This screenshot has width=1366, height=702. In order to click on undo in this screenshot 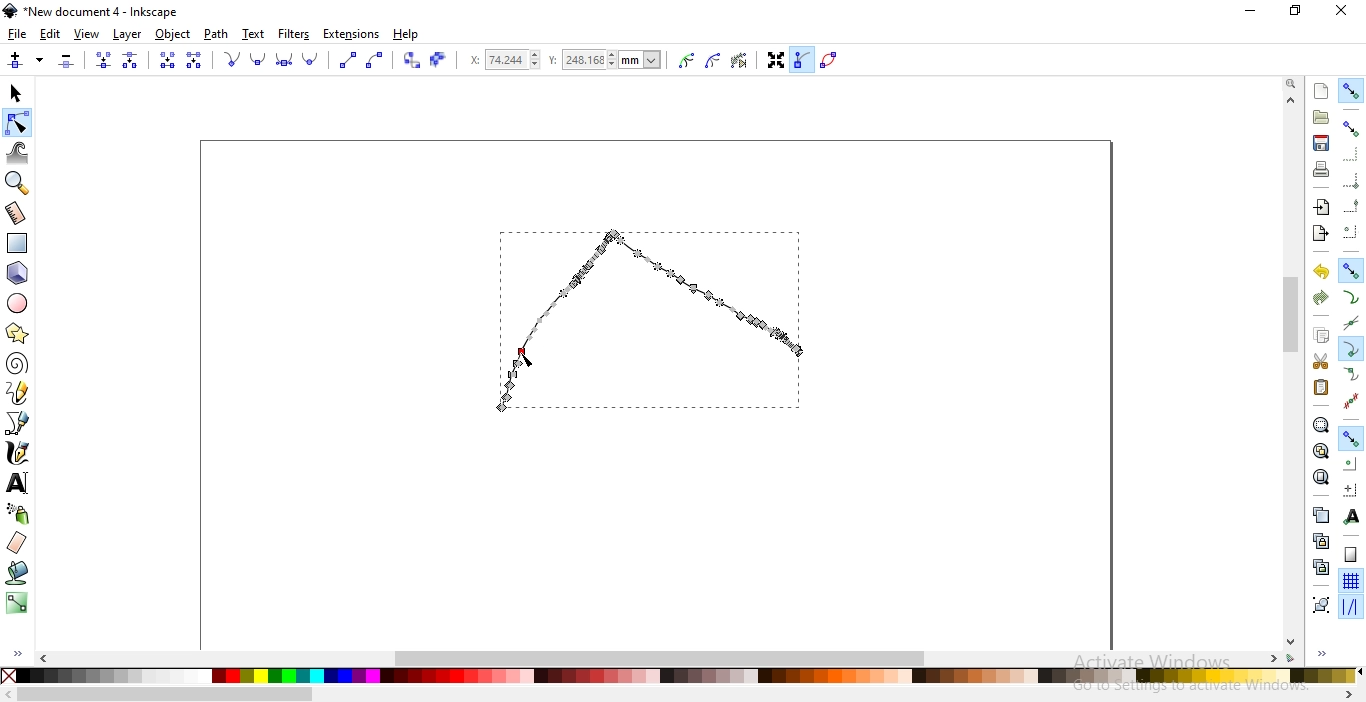, I will do `click(1320, 270)`.